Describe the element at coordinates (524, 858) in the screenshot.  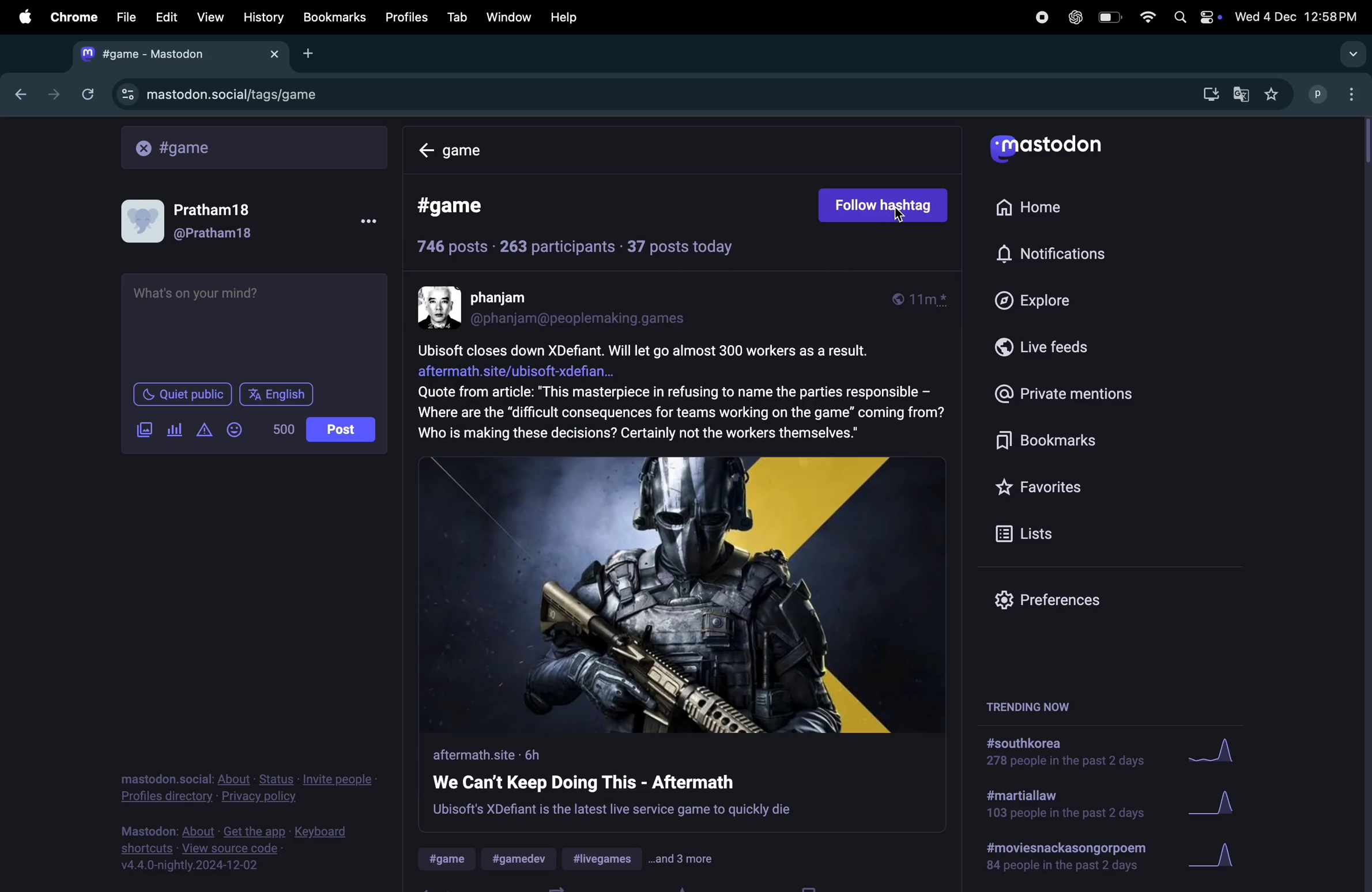
I see `#gamedev` at that location.